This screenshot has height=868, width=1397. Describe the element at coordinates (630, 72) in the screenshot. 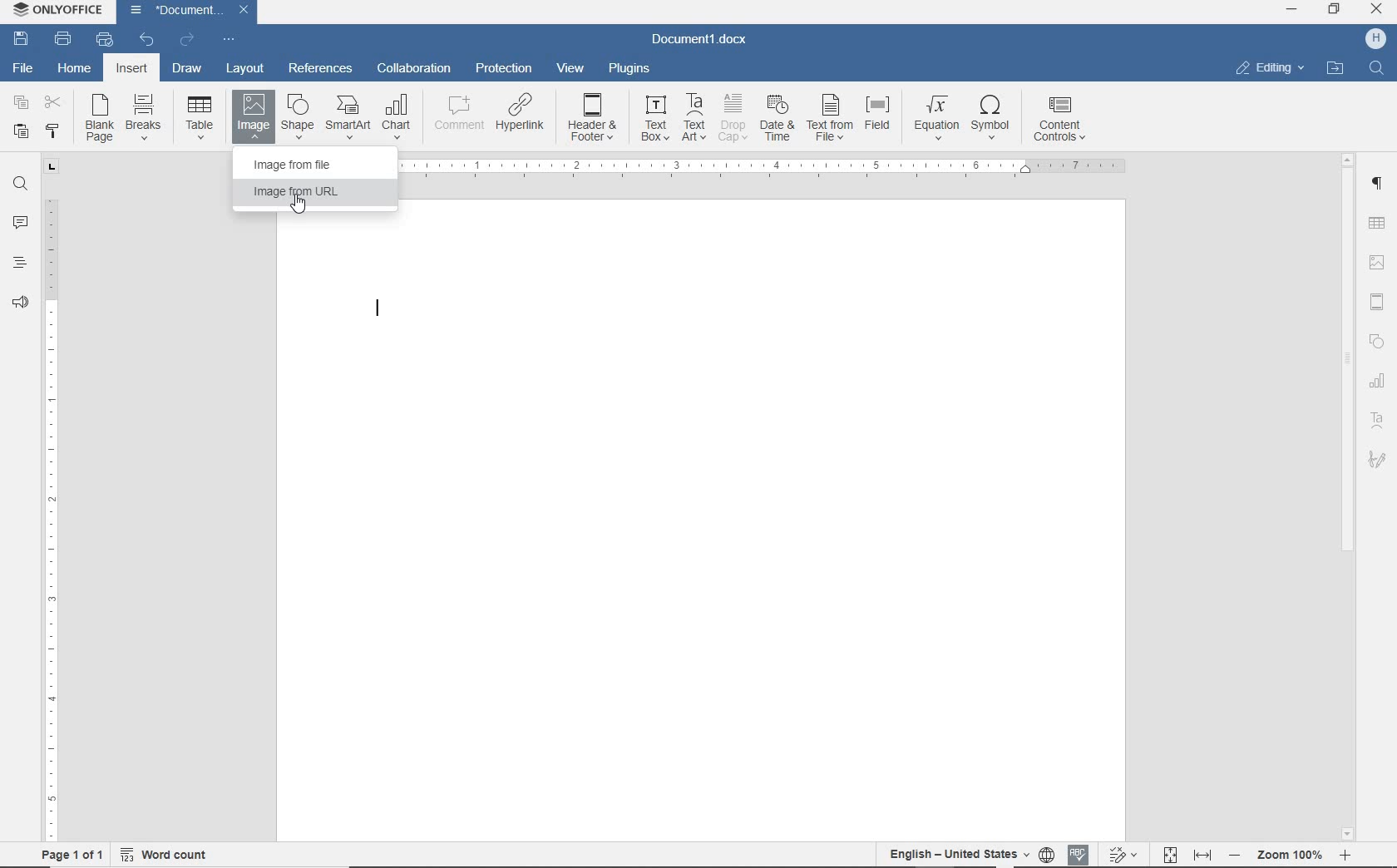

I see `plugins` at that location.